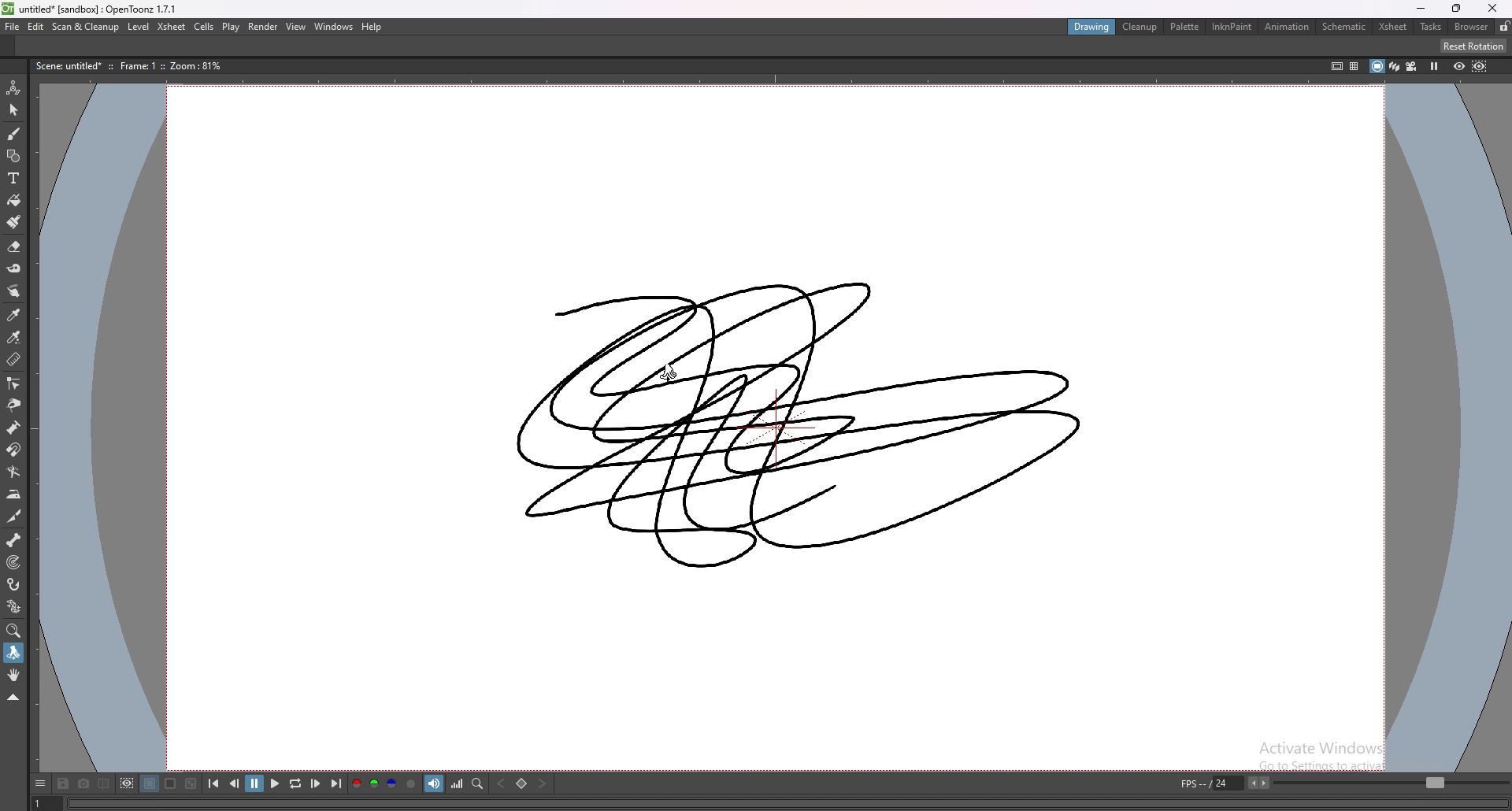  I want to click on control point editor, so click(13, 383).